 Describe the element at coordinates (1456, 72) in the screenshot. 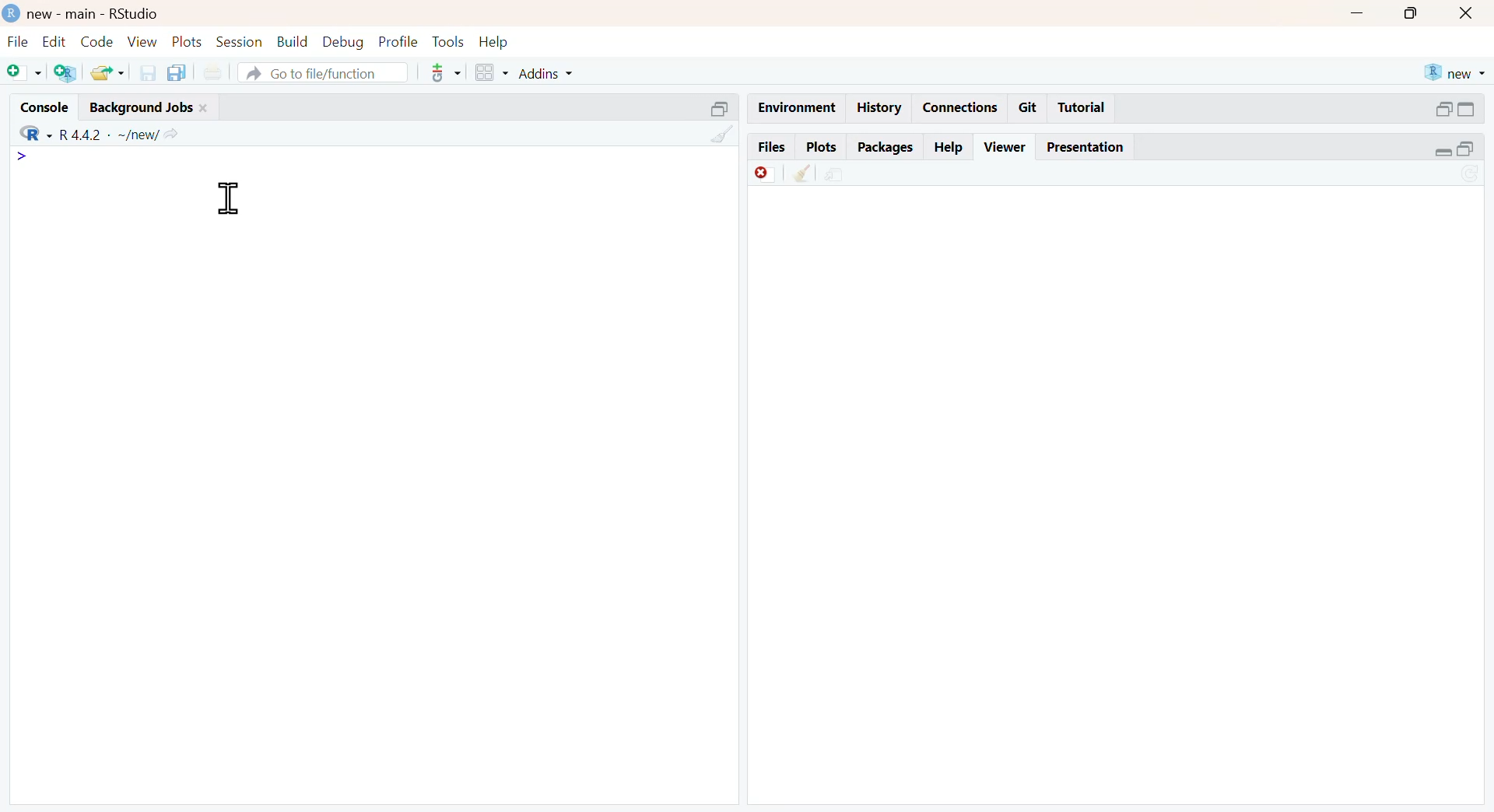

I see `new` at that location.